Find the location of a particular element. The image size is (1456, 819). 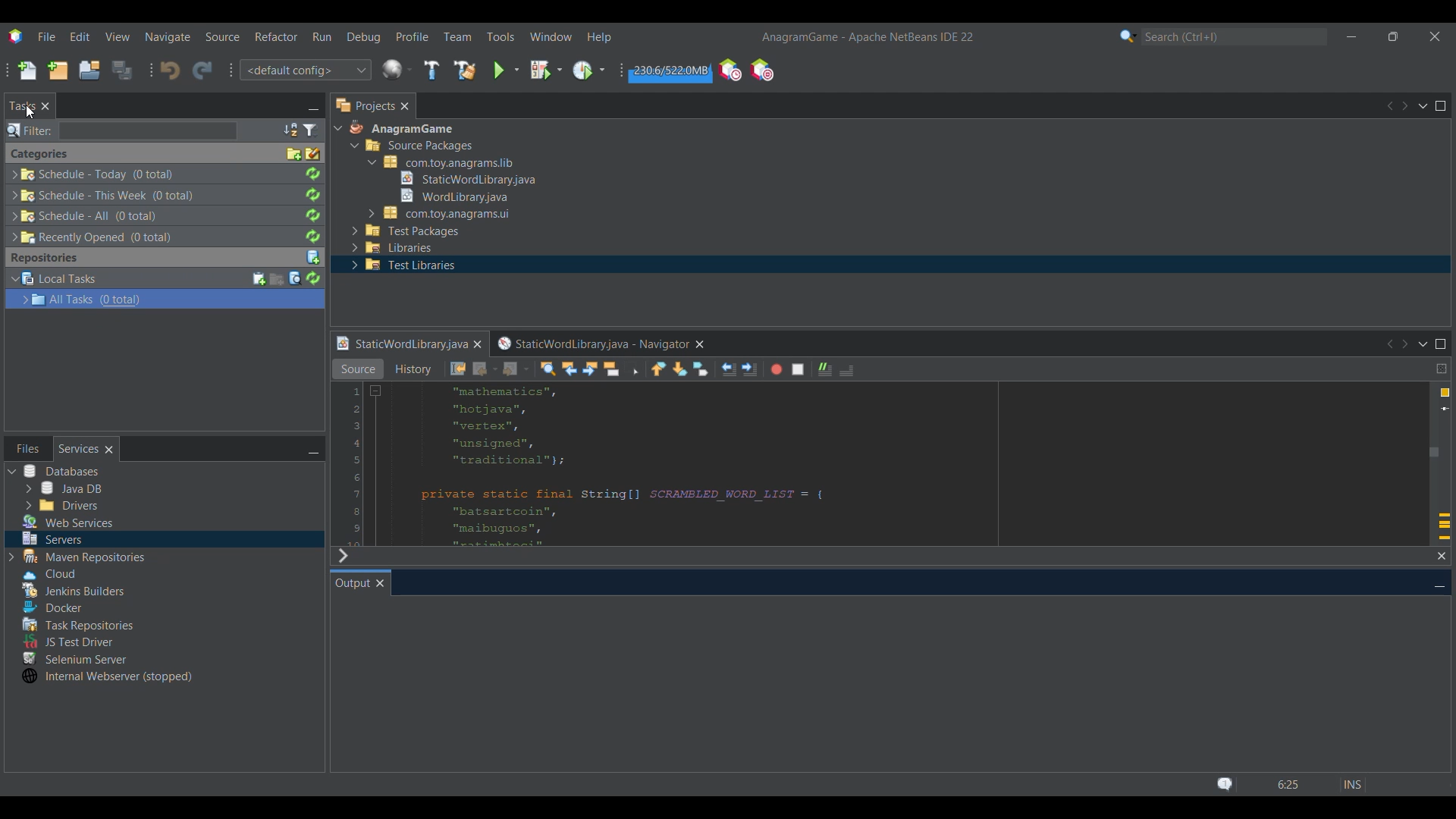

Click to force garbage collection is located at coordinates (670, 71).